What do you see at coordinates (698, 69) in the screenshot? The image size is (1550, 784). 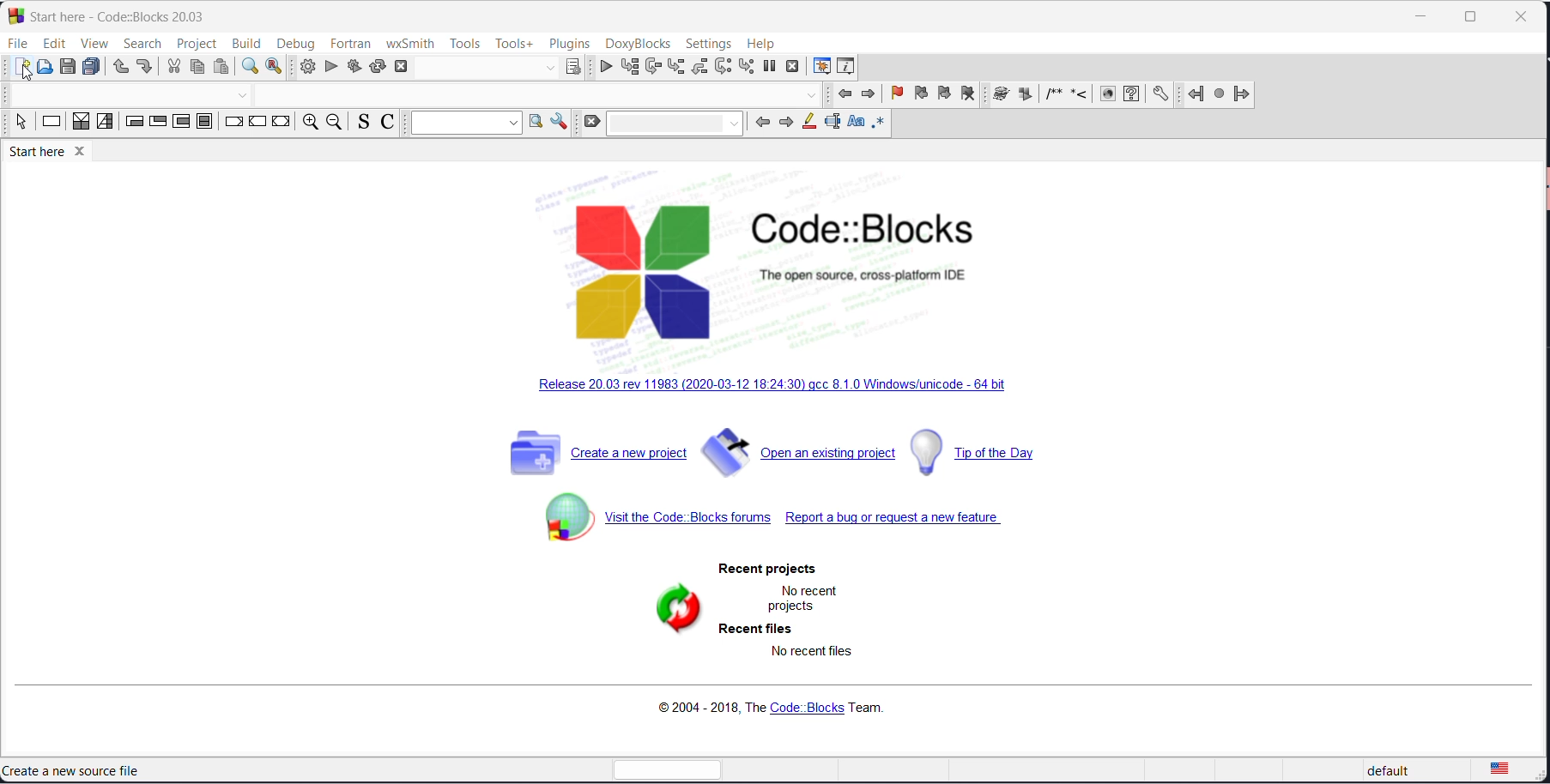 I see `step out` at bounding box center [698, 69].